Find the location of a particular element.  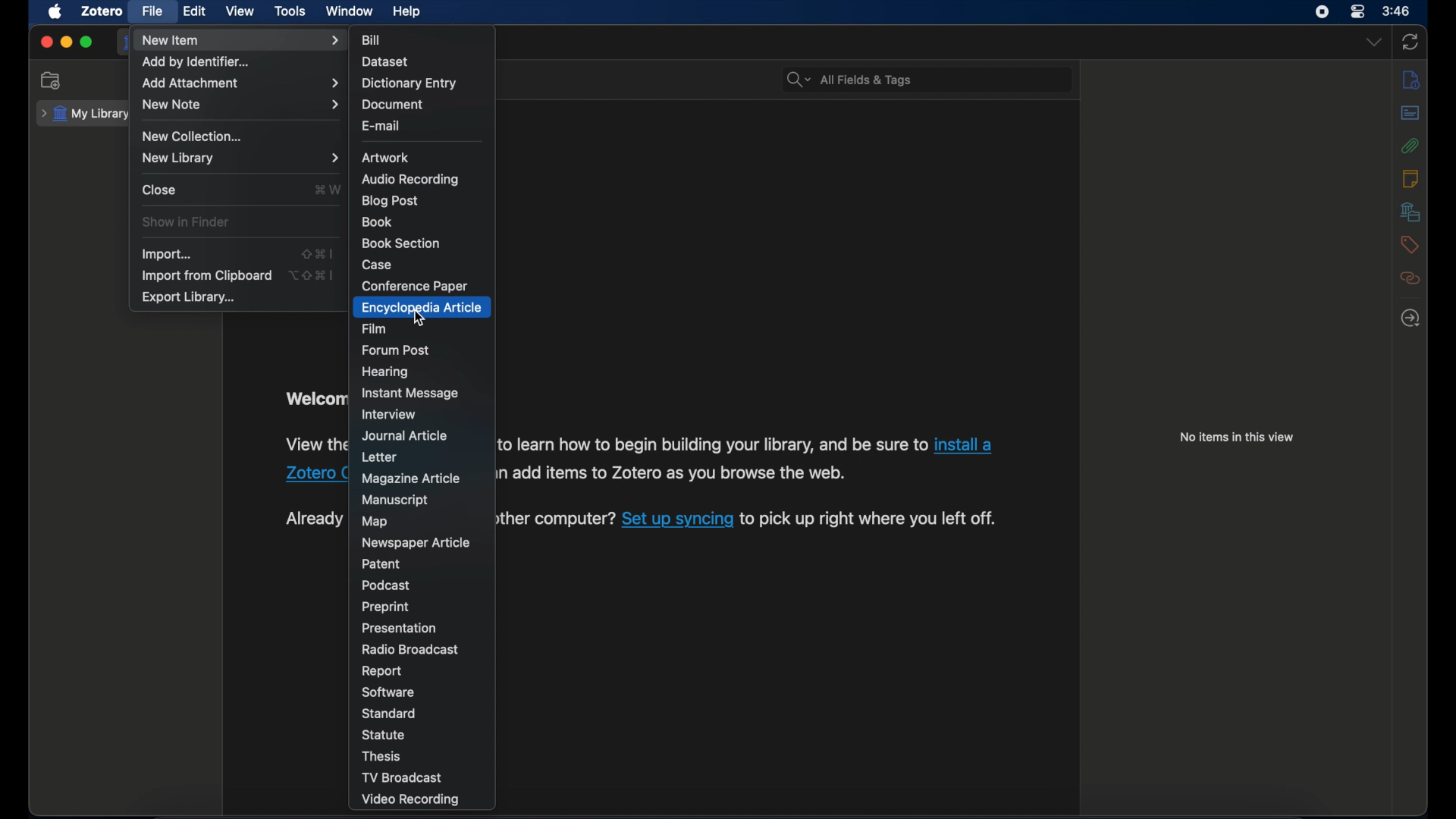

podcast is located at coordinates (386, 585).